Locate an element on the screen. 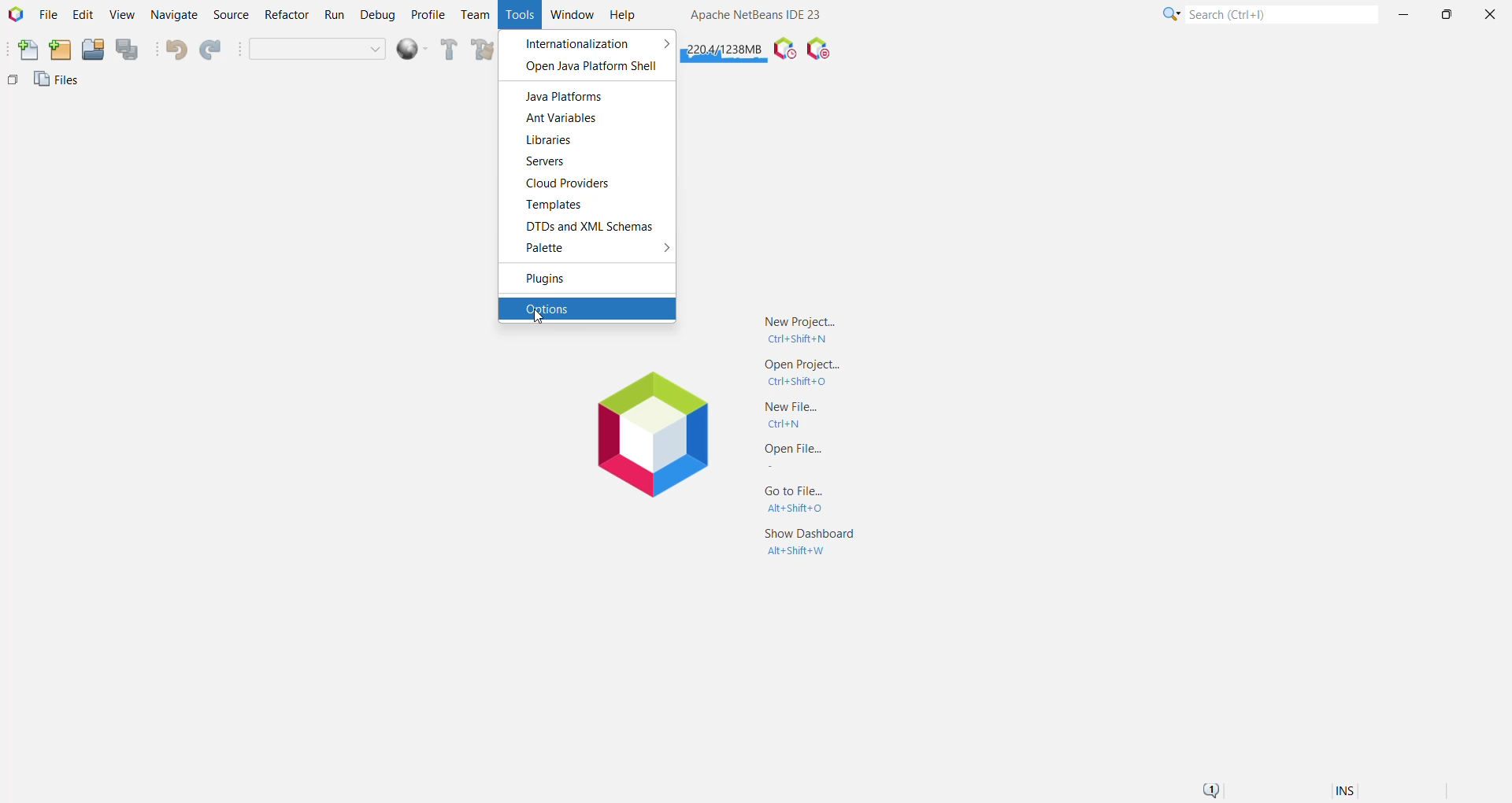 The width and height of the screenshot is (1512, 803). Options is located at coordinates (584, 309).